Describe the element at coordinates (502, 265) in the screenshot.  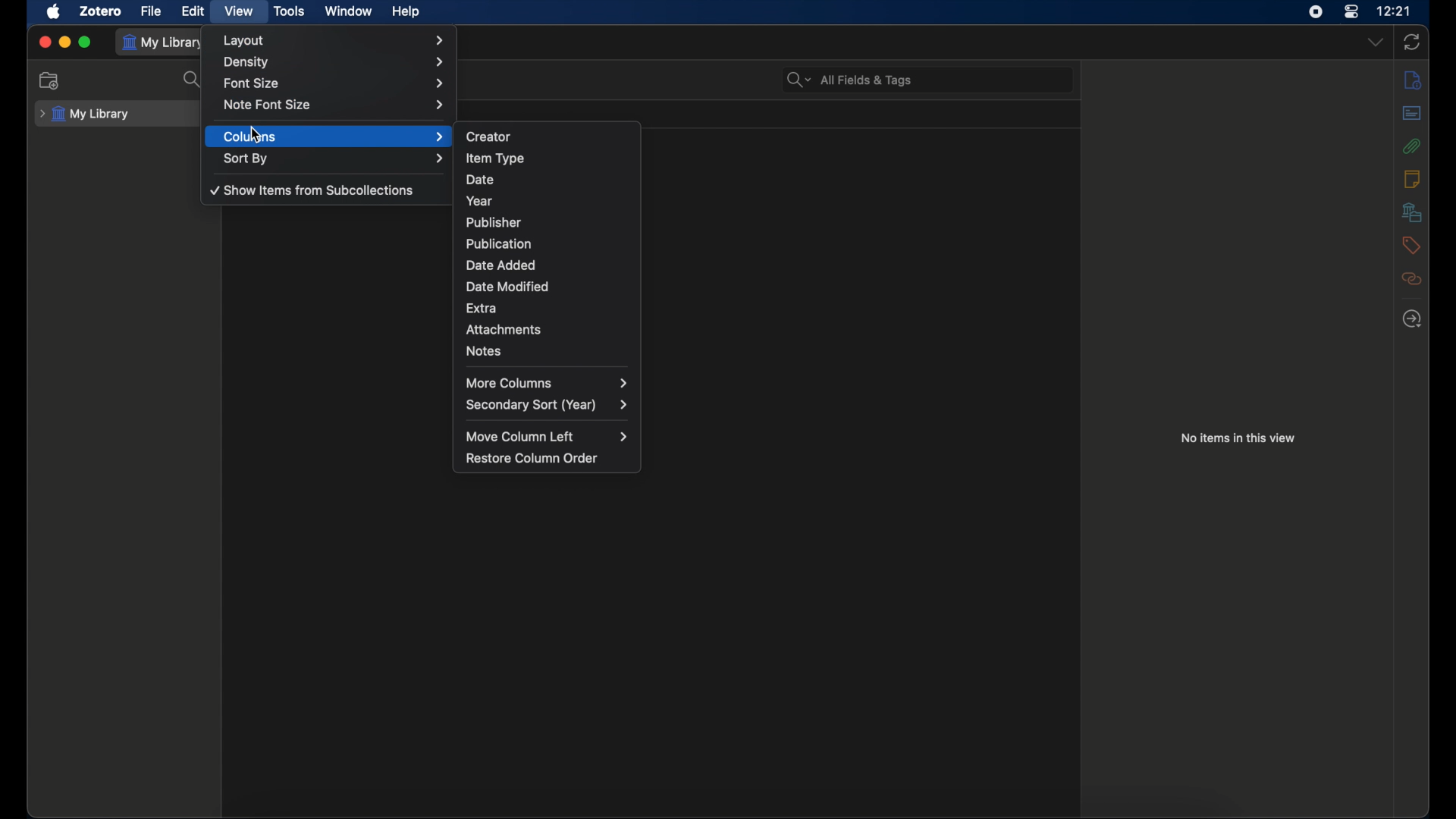
I see `date added` at that location.